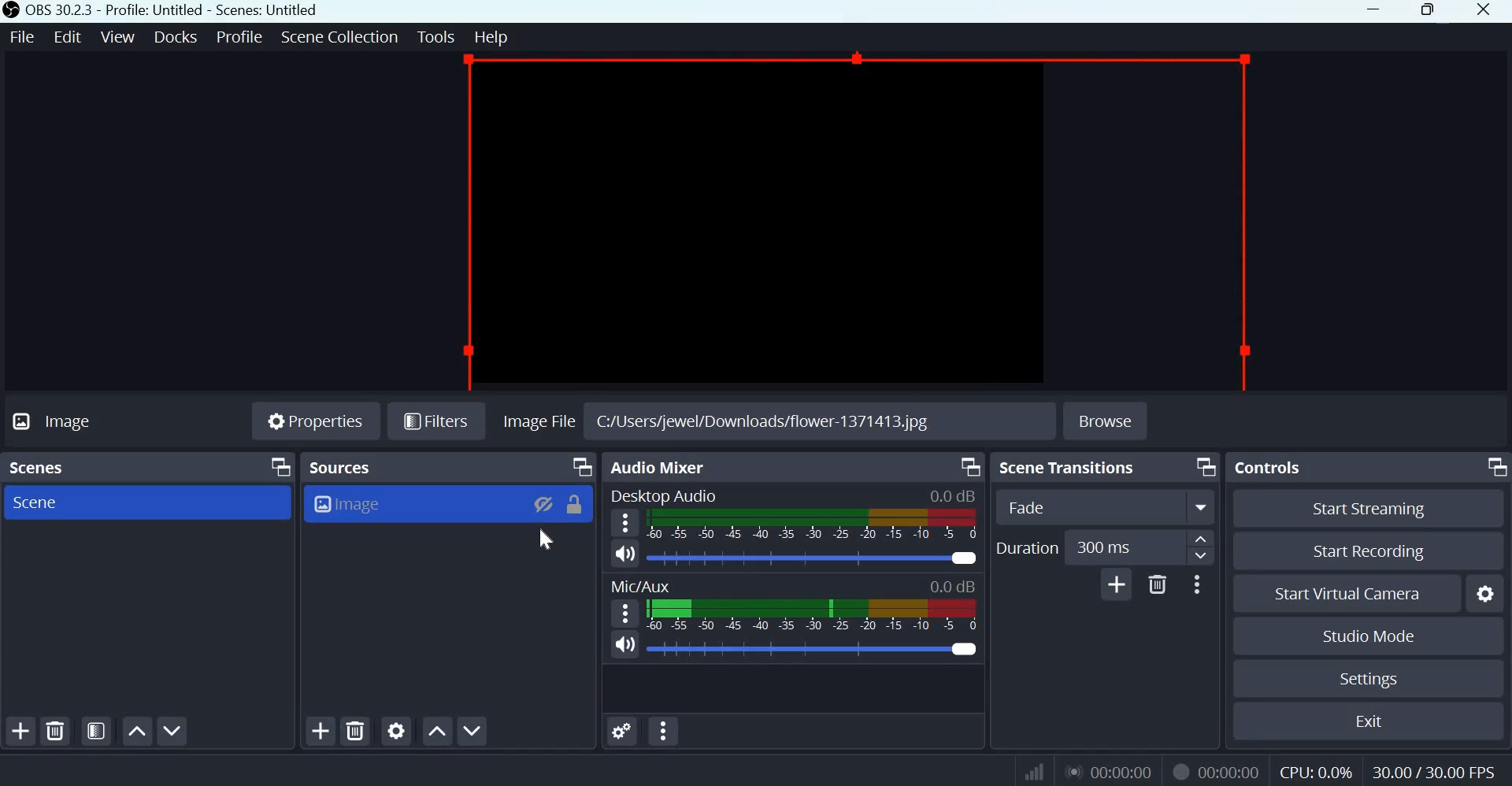 The image size is (1512, 786). Describe the element at coordinates (1109, 772) in the screenshot. I see `Live Duration Timer` at that location.